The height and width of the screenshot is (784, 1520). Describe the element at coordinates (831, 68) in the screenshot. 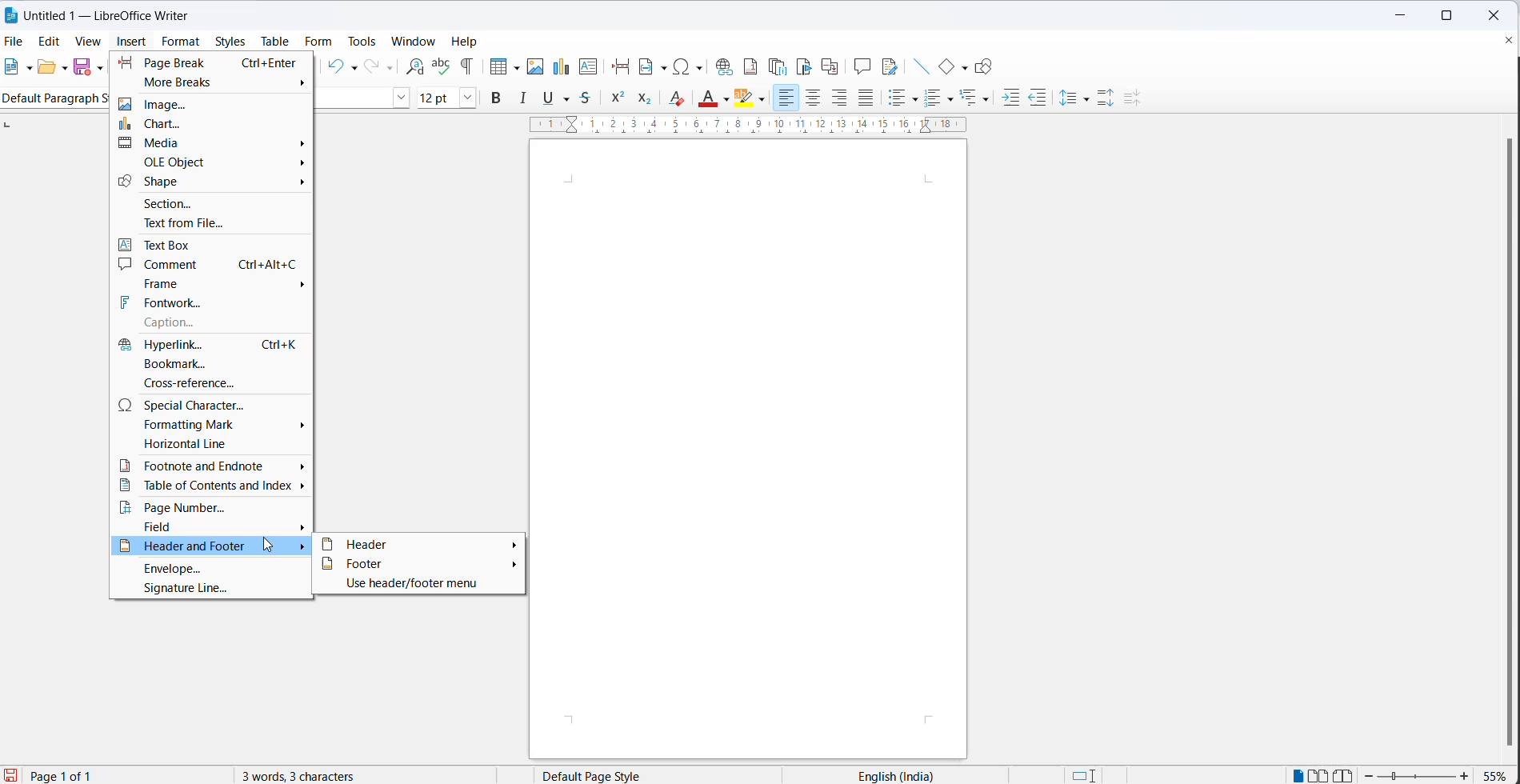

I see `insert cross-reference` at that location.